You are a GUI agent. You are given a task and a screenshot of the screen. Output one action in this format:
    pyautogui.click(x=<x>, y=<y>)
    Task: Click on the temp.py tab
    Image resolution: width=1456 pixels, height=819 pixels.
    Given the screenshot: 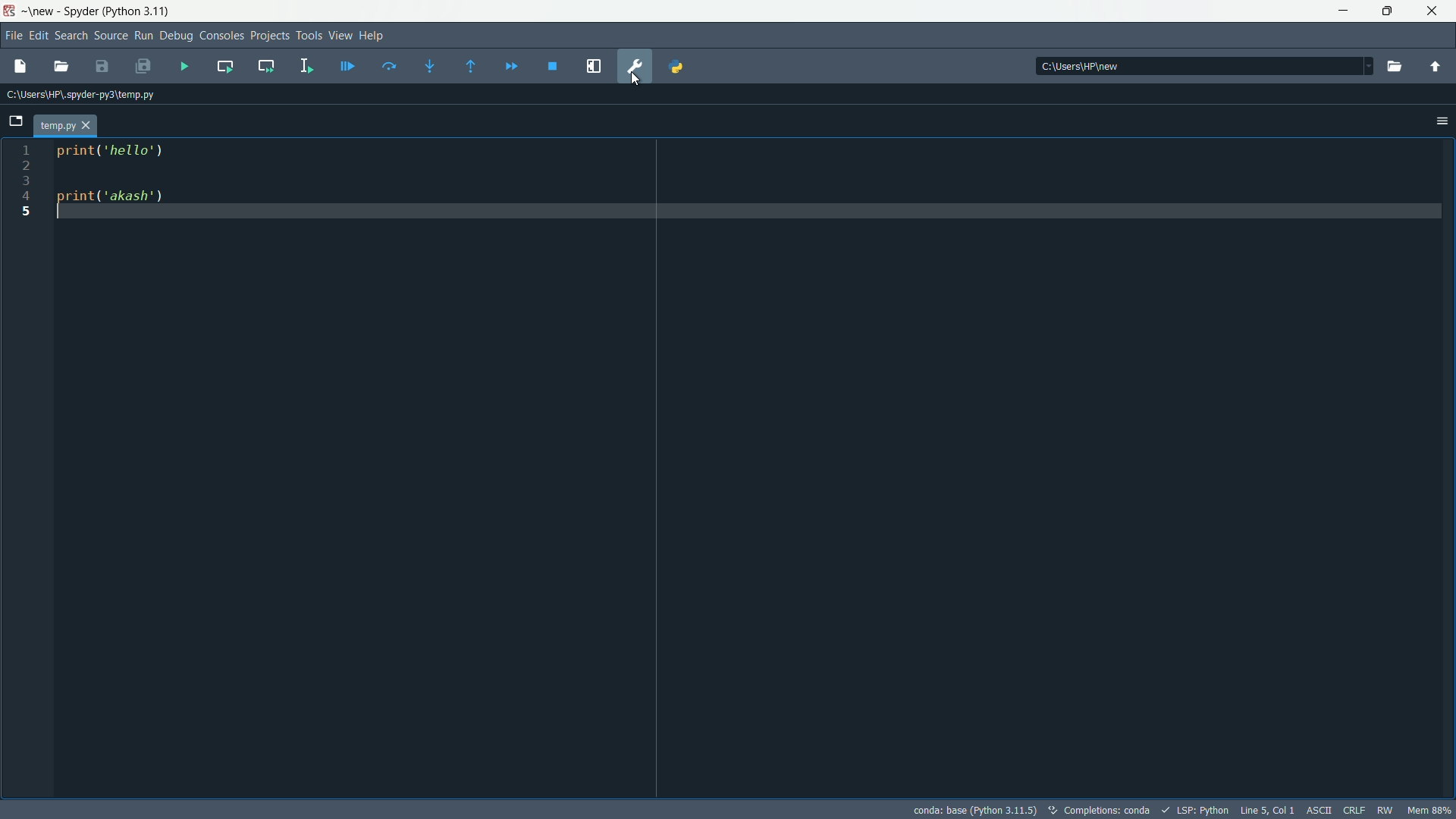 What is the action you would take?
    pyautogui.click(x=63, y=125)
    